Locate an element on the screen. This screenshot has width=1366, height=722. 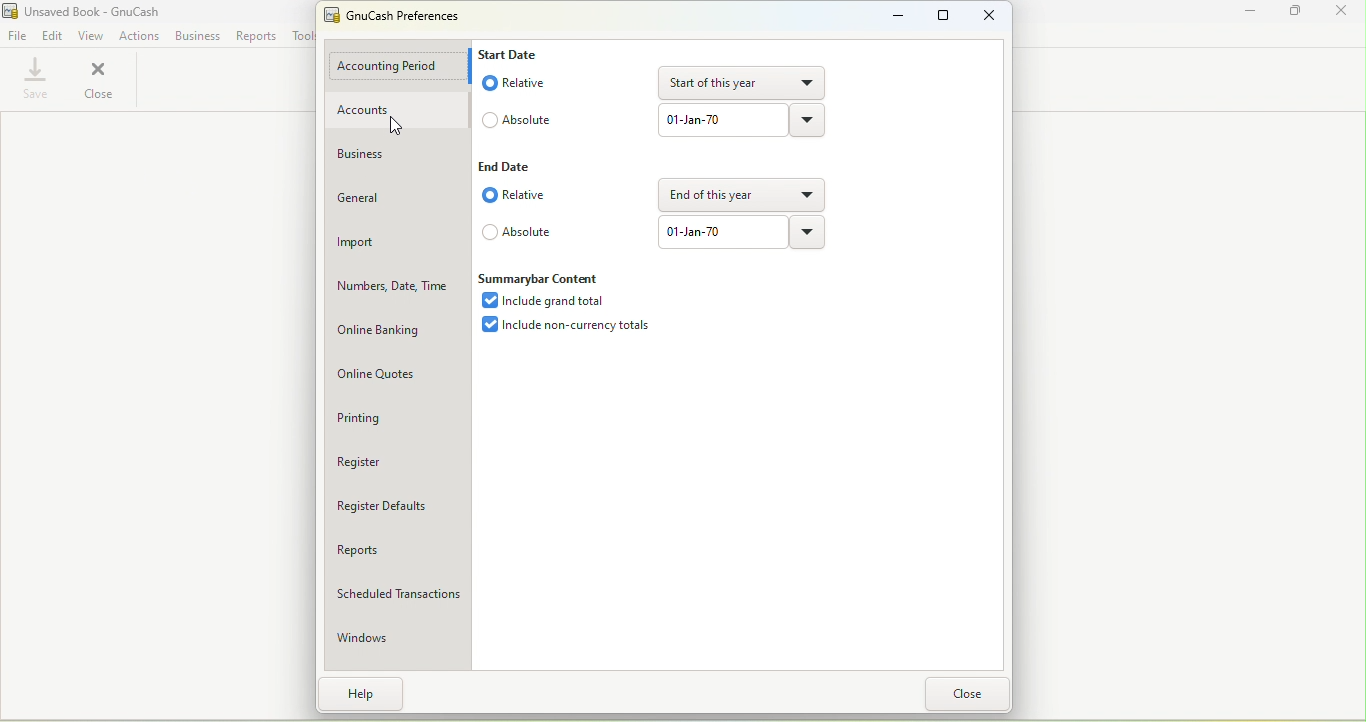
Close is located at coordinates (992, 14).